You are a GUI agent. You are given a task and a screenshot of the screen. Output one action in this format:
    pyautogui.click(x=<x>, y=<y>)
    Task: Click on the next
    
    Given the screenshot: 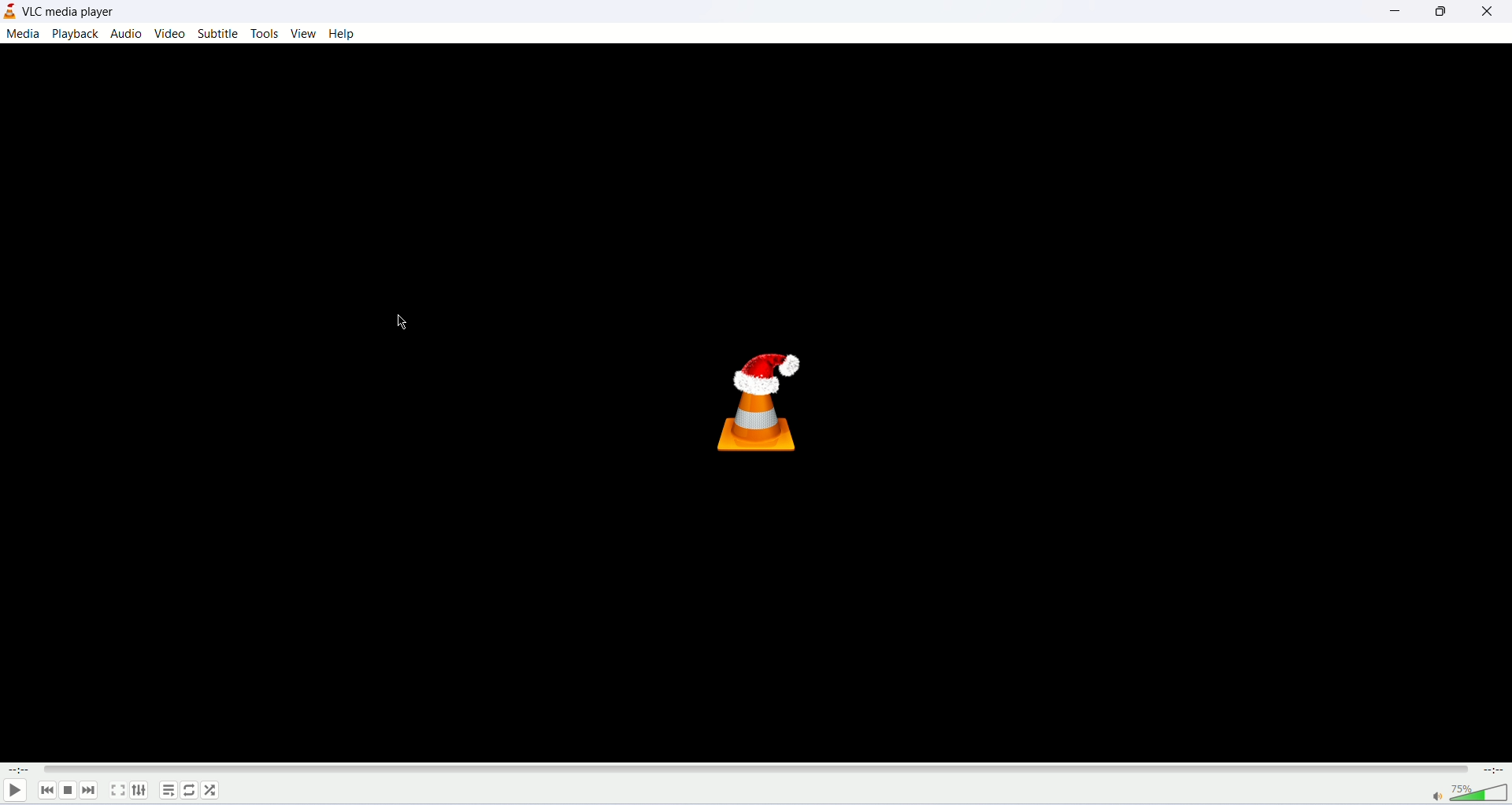 What is the action you would take?
    pyautogui.click(x=89, y=790)
    